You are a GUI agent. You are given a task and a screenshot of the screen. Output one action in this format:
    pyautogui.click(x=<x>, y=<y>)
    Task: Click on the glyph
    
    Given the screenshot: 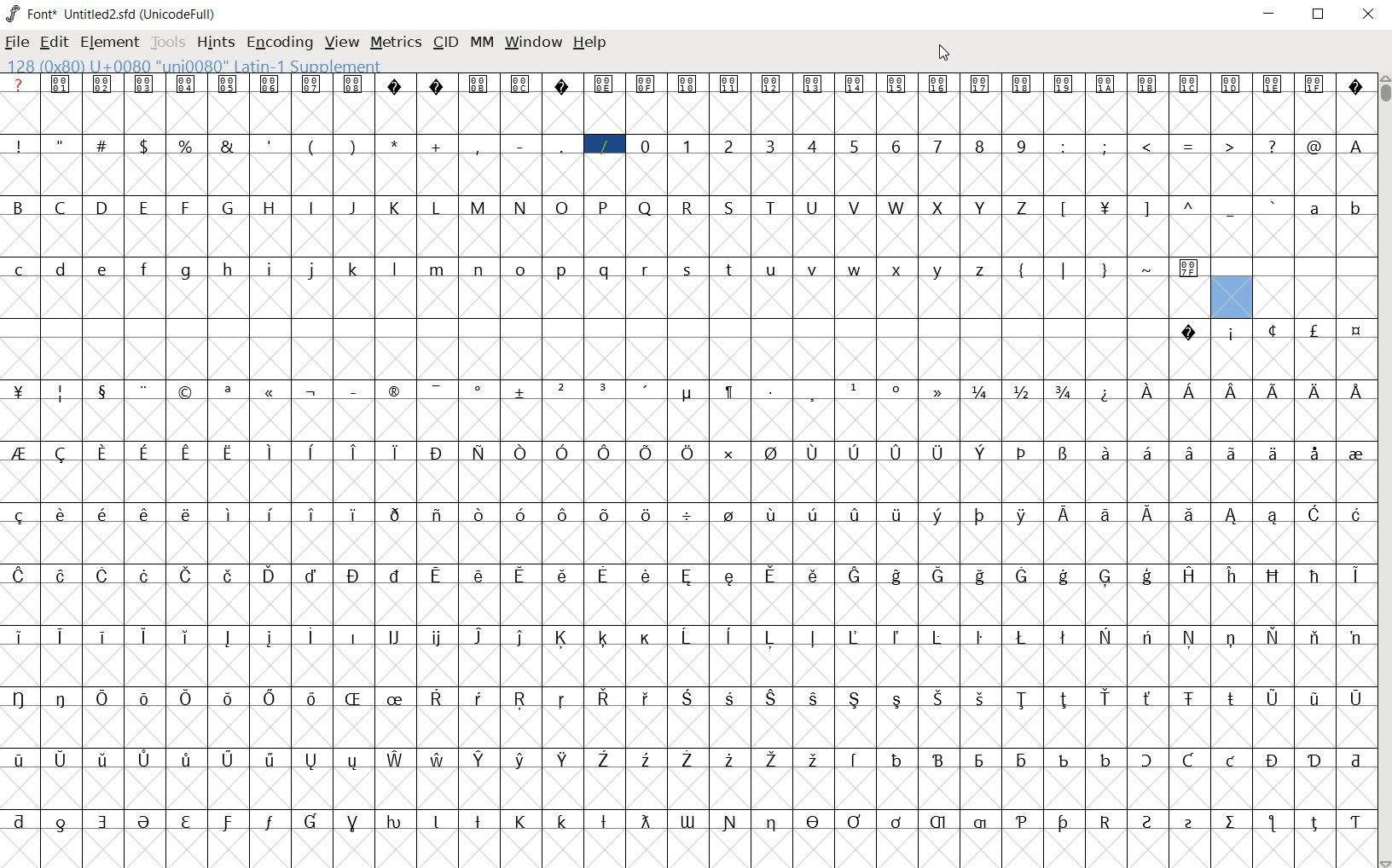 What is the action you would take?
    pyautogui.click(x=1232, y=576)
    